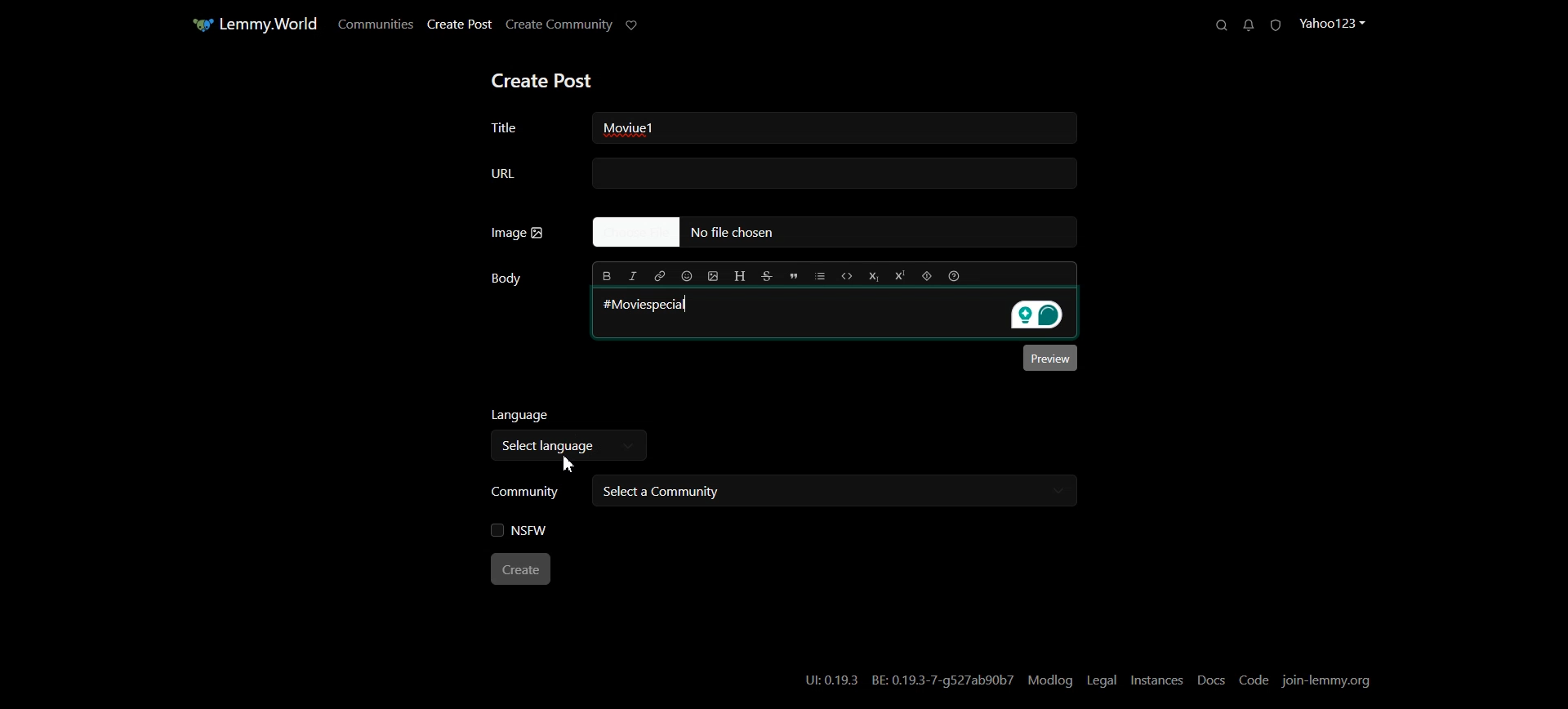  Describe the element at coordinates (571, 417) in the screenshot. I see `Language` at that location.